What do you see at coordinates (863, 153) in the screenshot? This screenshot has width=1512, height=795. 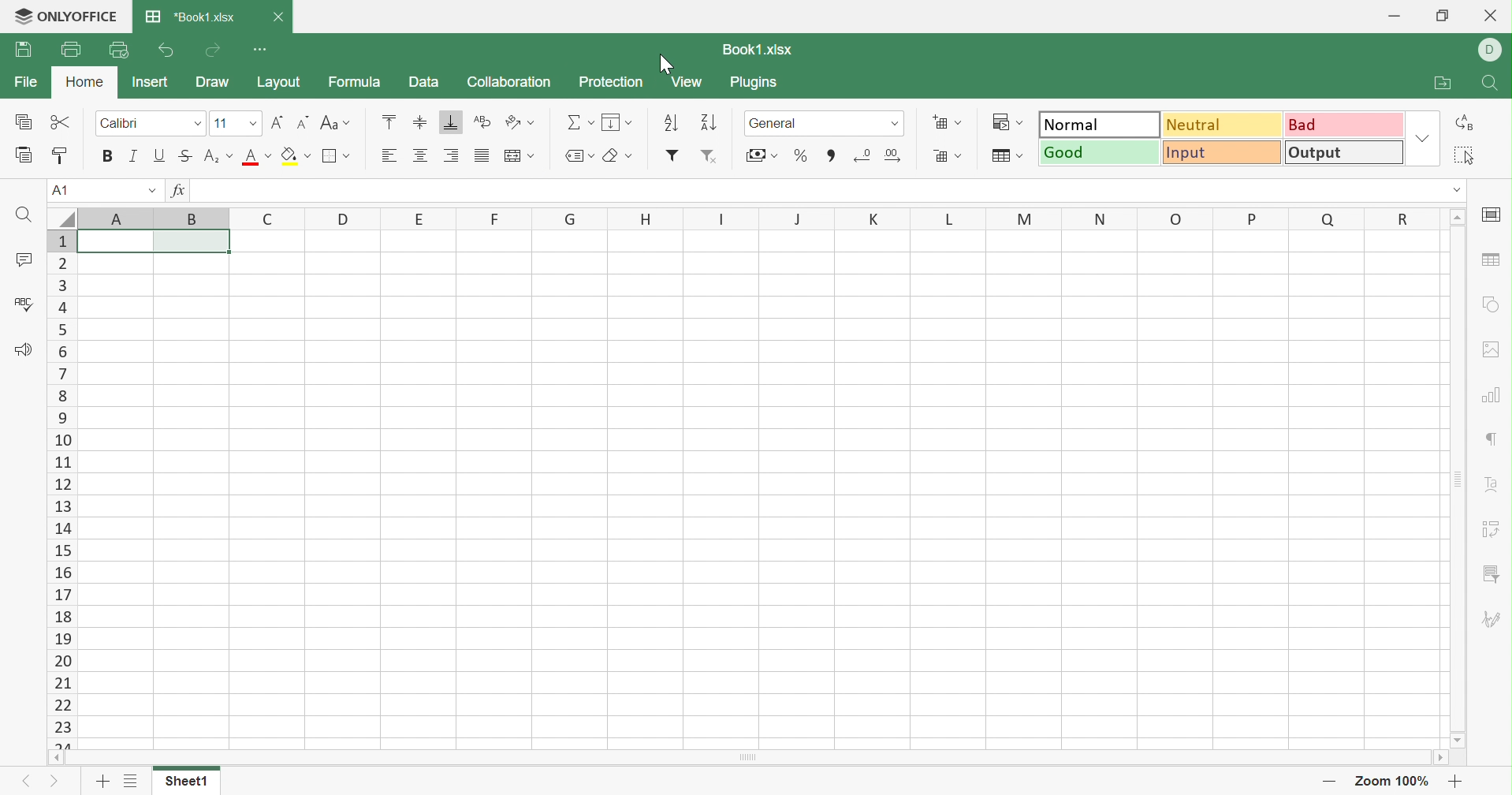 I see `Decrease decimal` at bounding box center [863, 153].